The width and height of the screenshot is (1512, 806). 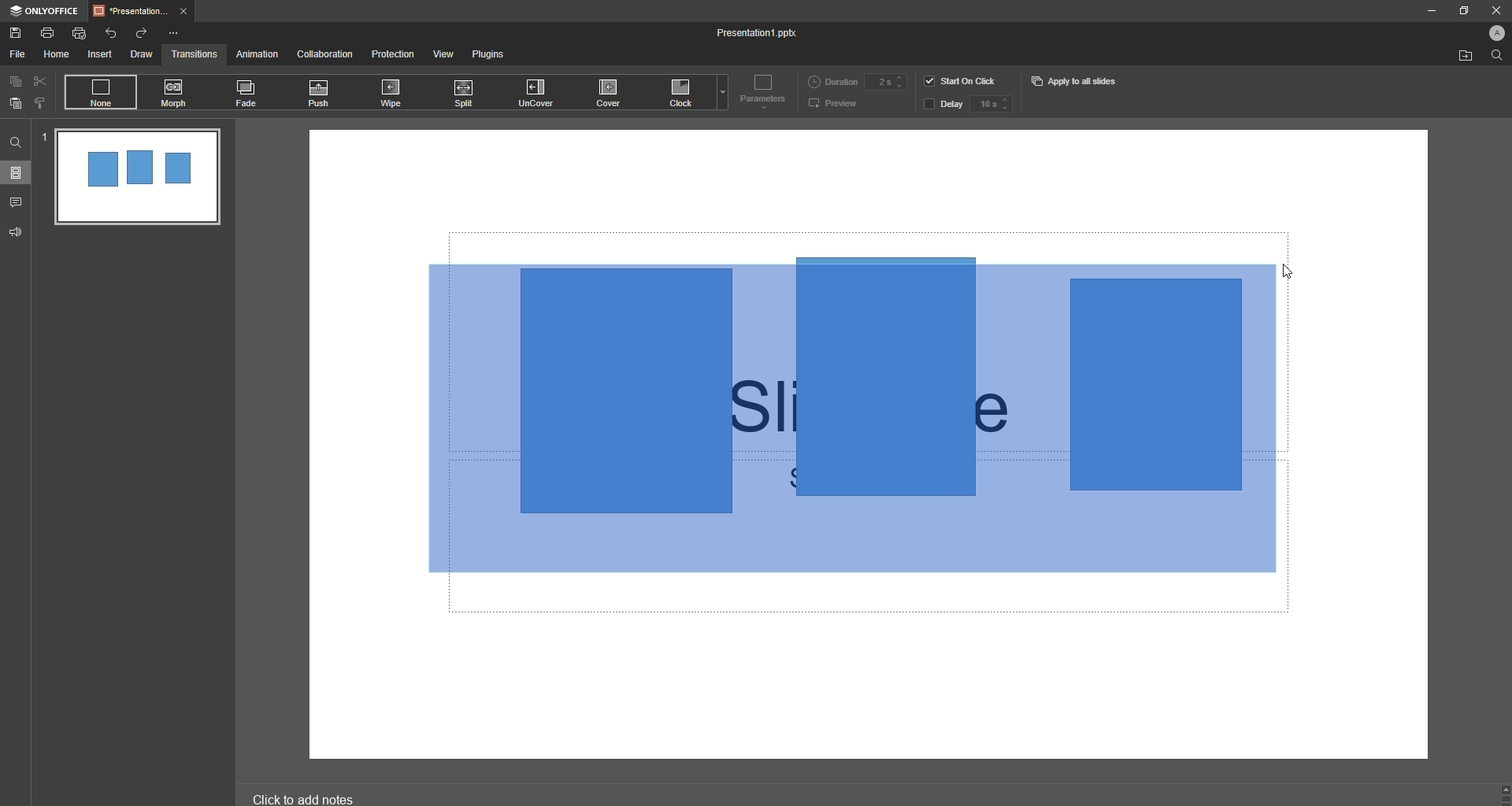 What do you see at coordinates (1498, 59) in the screenshot?
I see `search` at bounding box center [1498, 59].